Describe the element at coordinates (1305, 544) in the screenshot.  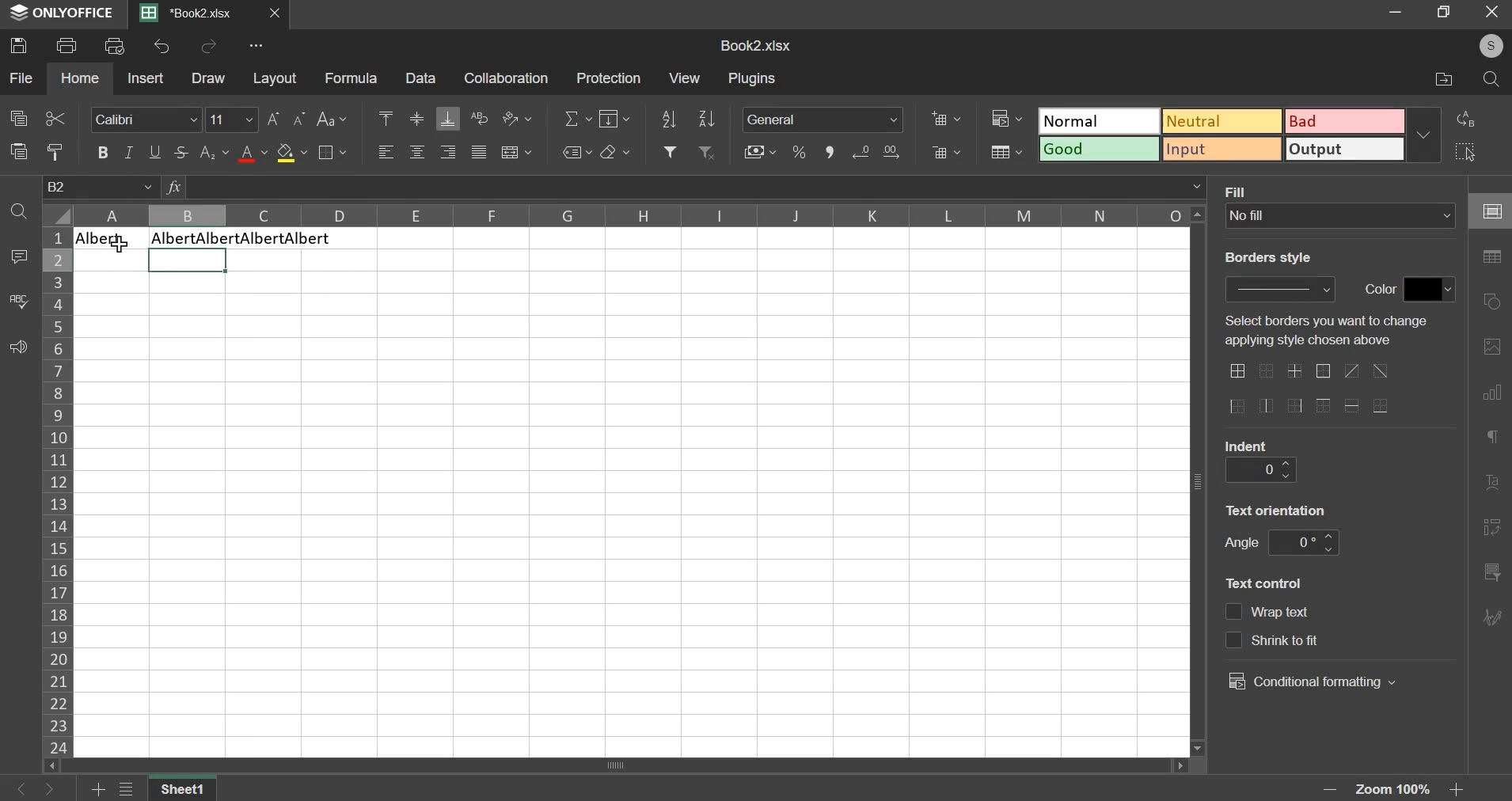
I see `angle` at that location.